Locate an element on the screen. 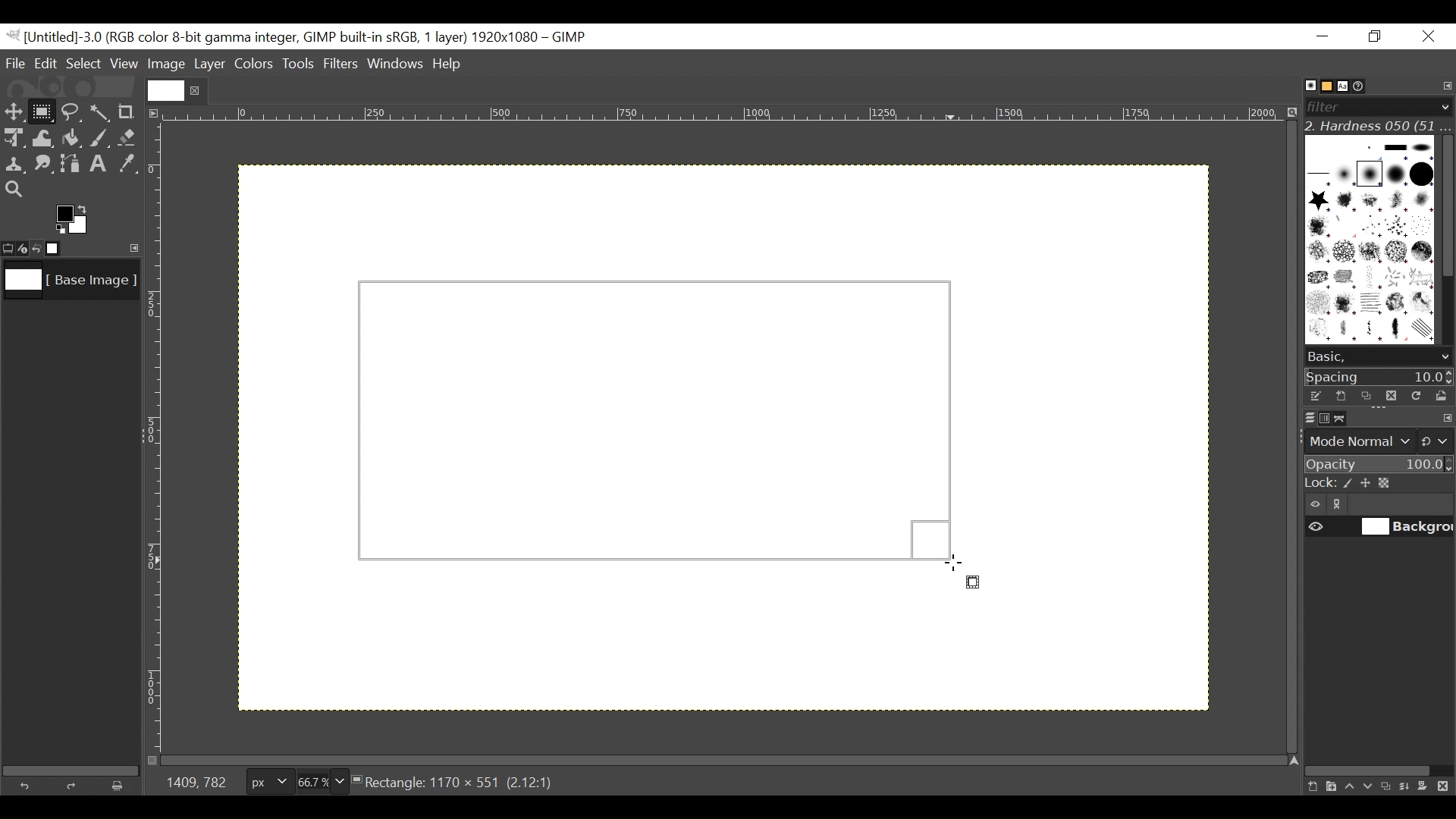  Background is located at coordinates (581, 356).